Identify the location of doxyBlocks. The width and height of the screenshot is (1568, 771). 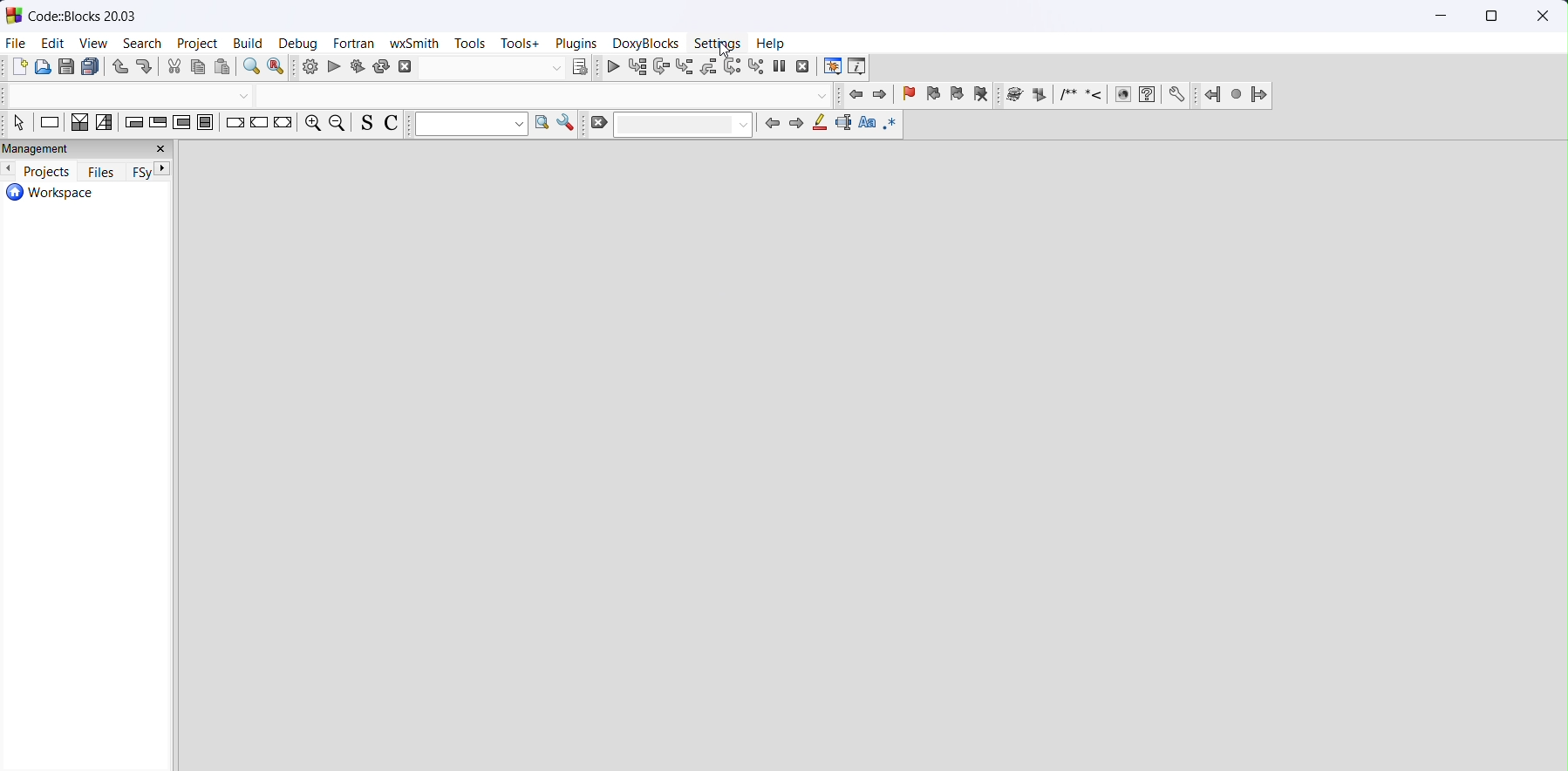
(646, 44).